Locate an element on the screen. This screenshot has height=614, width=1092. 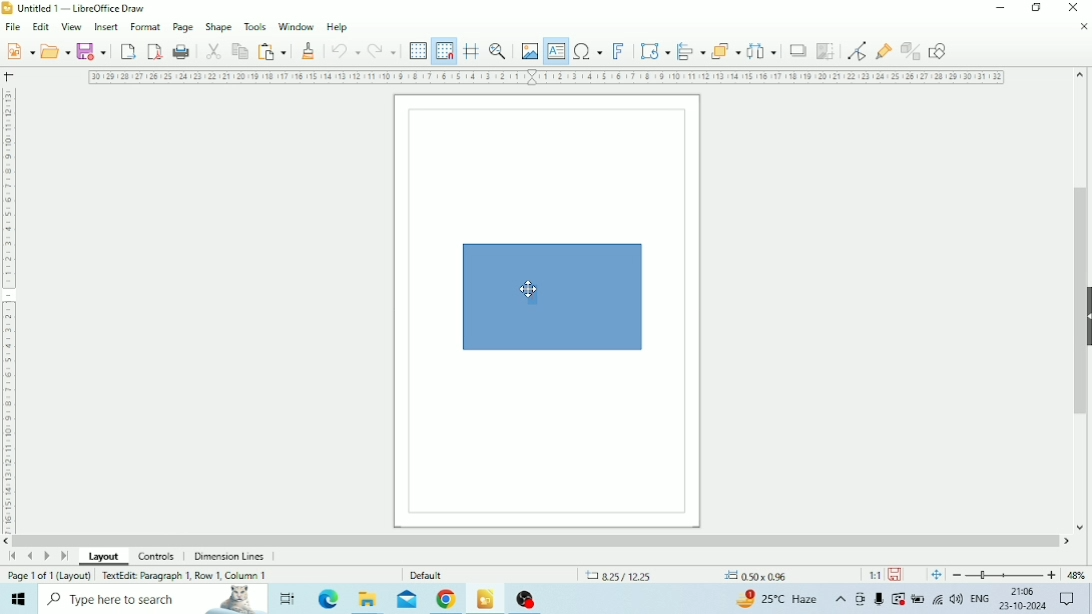
Horizontal scale is located at coordinates (548, 78).